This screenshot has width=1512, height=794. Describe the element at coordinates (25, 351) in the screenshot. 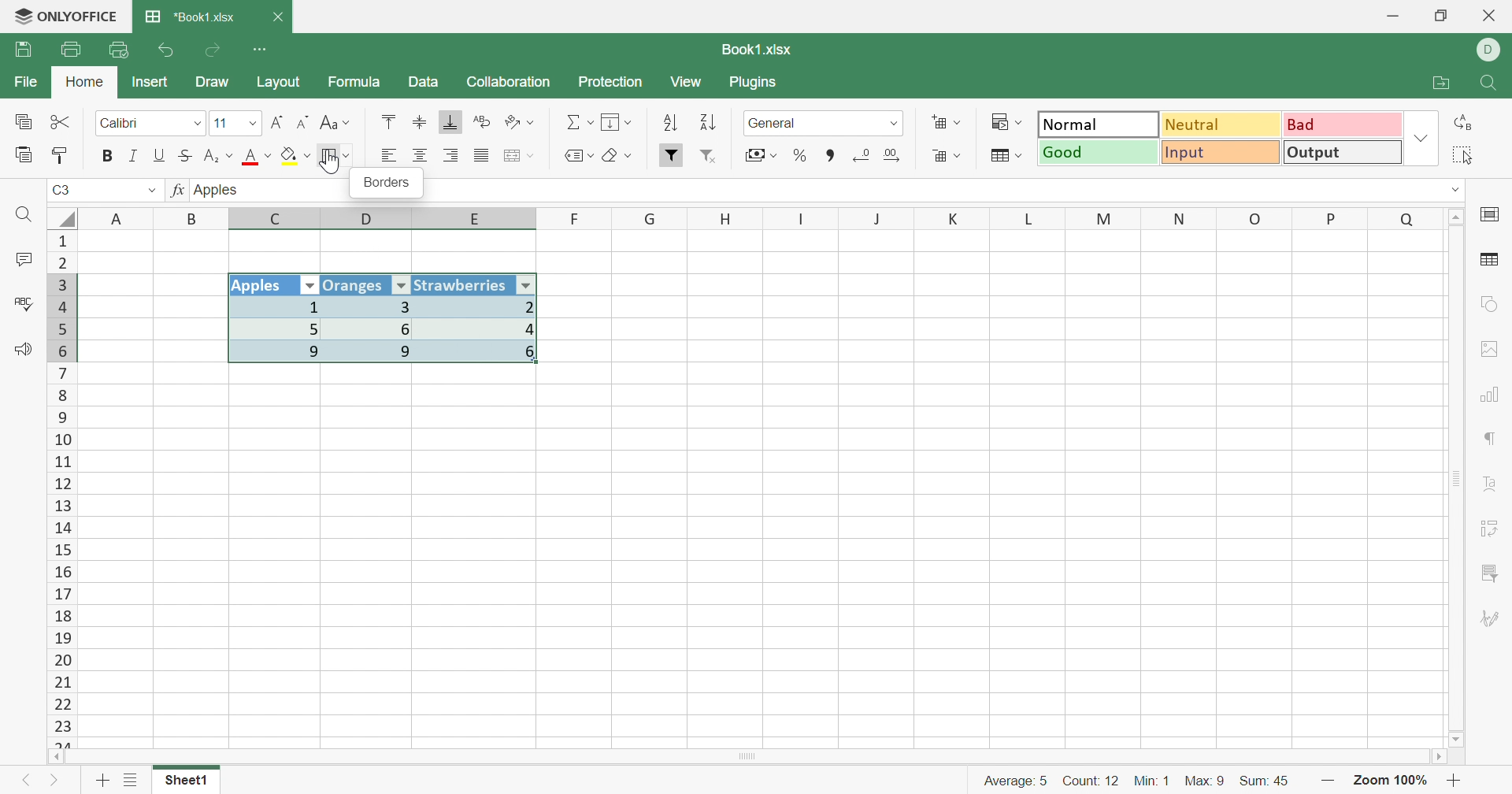

I see `Feedback & Support` at that location.